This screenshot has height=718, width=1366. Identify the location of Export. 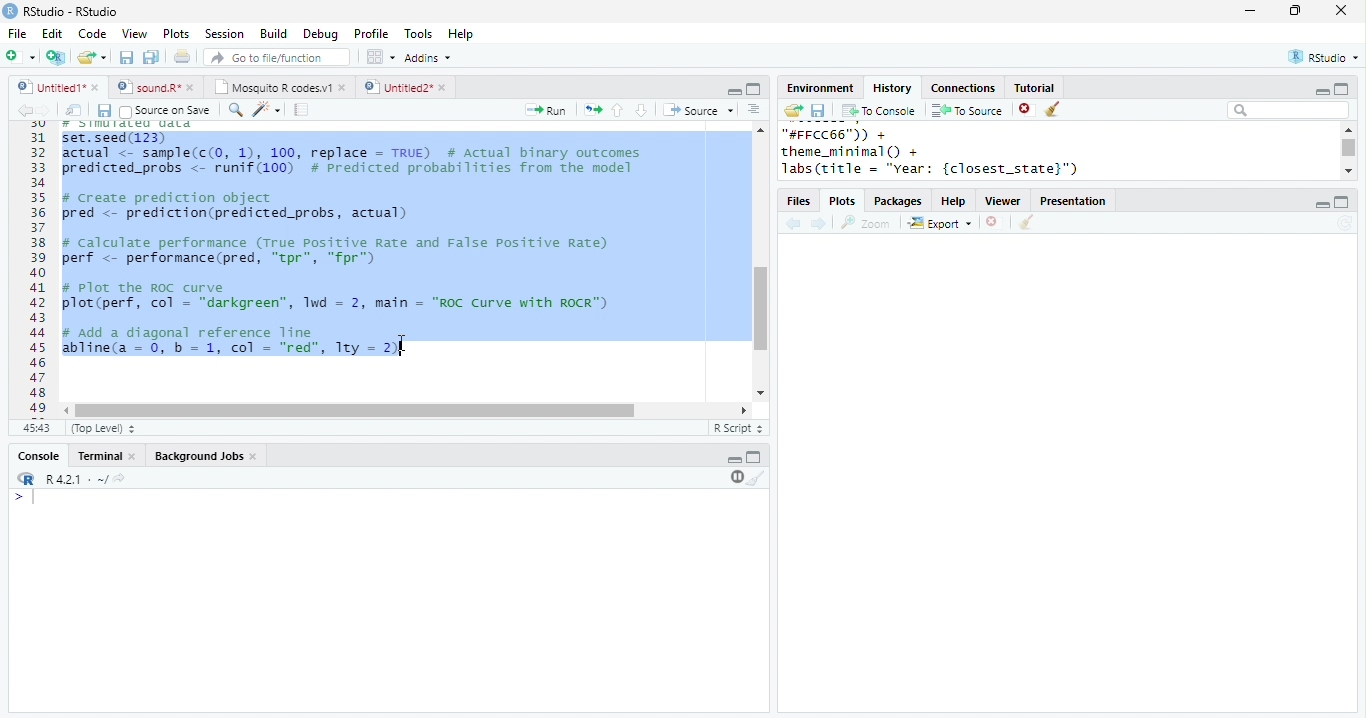
(941, 224).